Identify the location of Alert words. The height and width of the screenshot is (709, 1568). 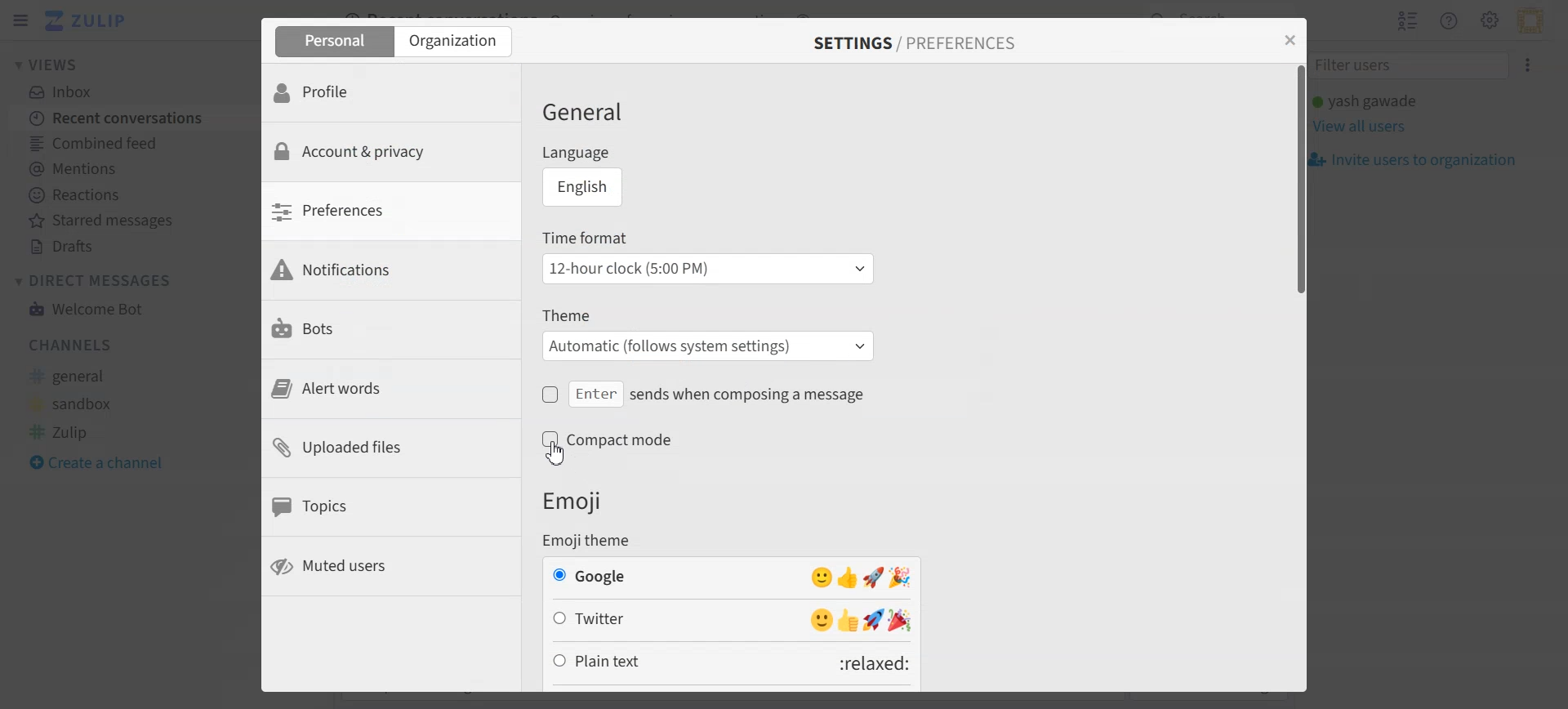
(390, 389).